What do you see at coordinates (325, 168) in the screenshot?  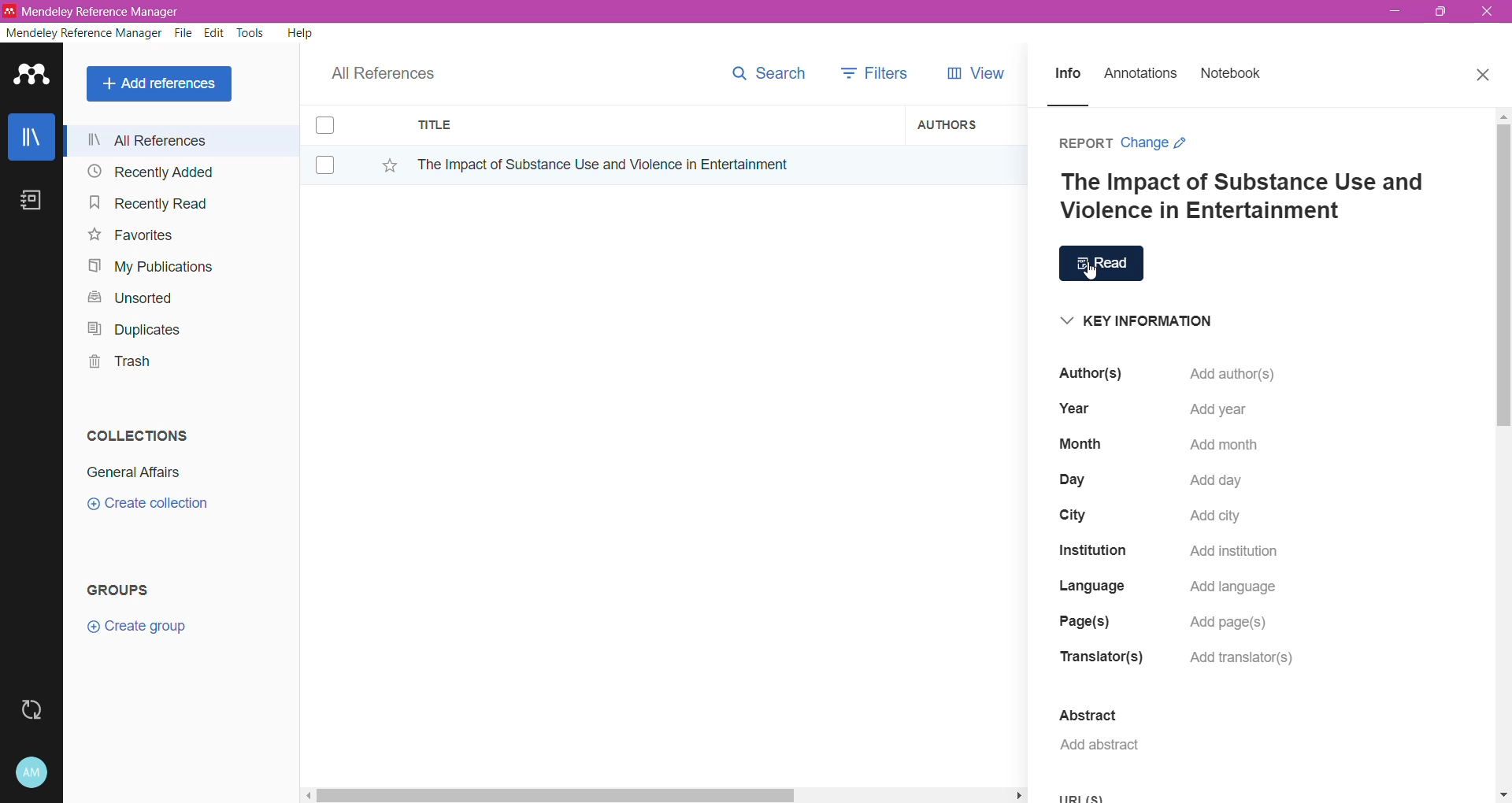 I see `Click to select Item(s)` at bounding box center [325, 168].